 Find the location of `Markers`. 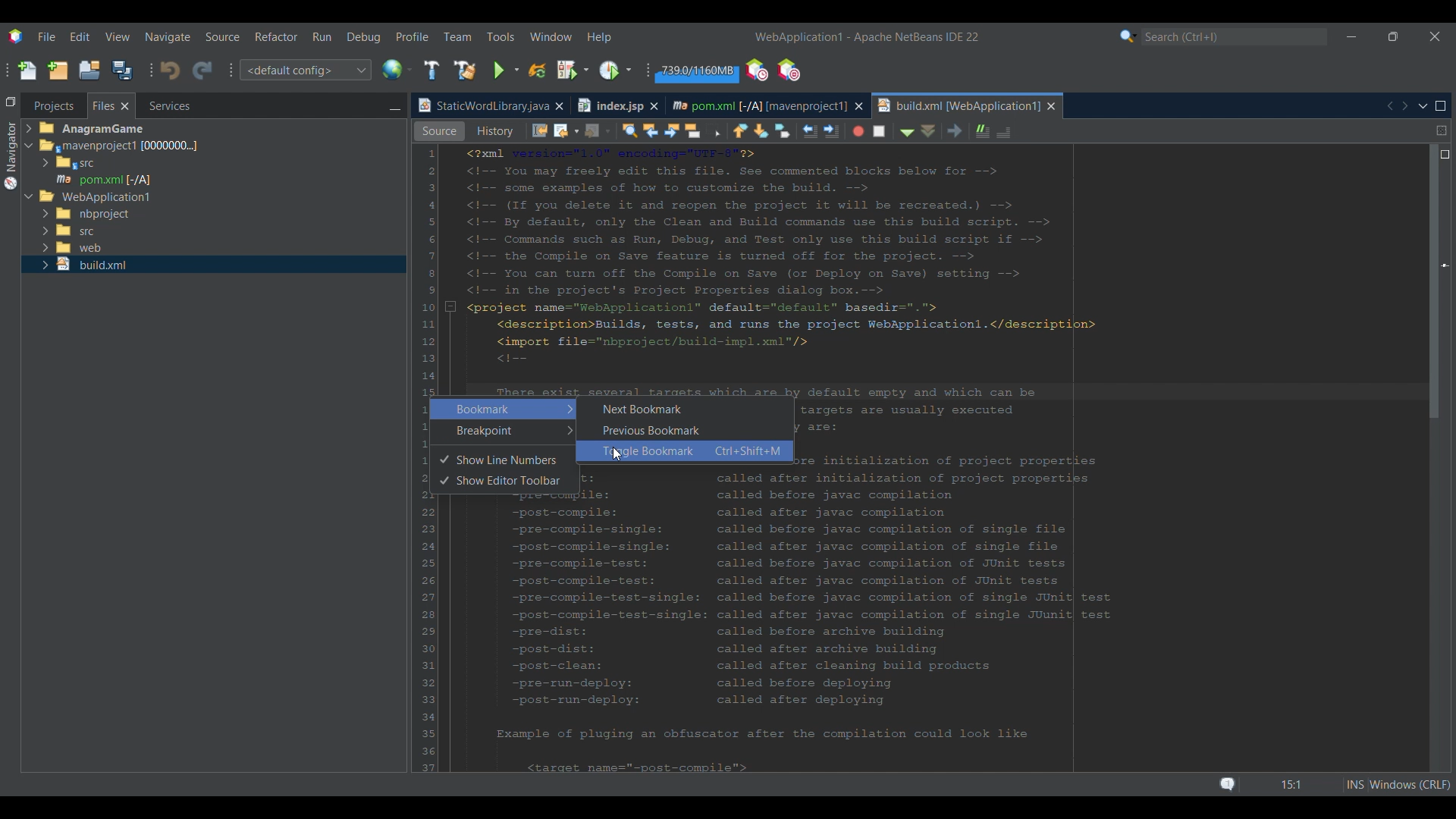

Markers is located at coordinates (1444, 666).